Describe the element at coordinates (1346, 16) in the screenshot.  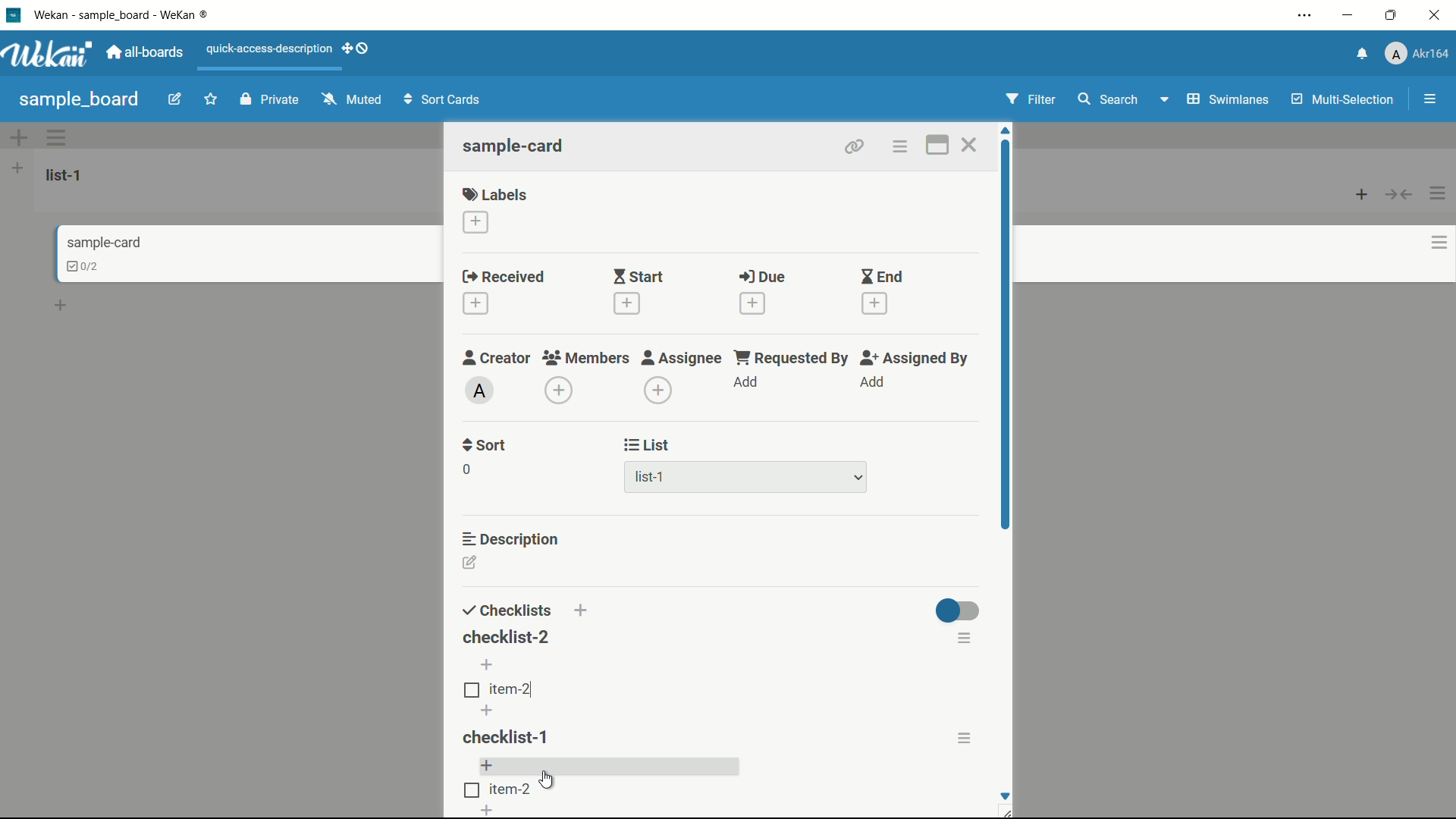
I see `minimize` at that location.